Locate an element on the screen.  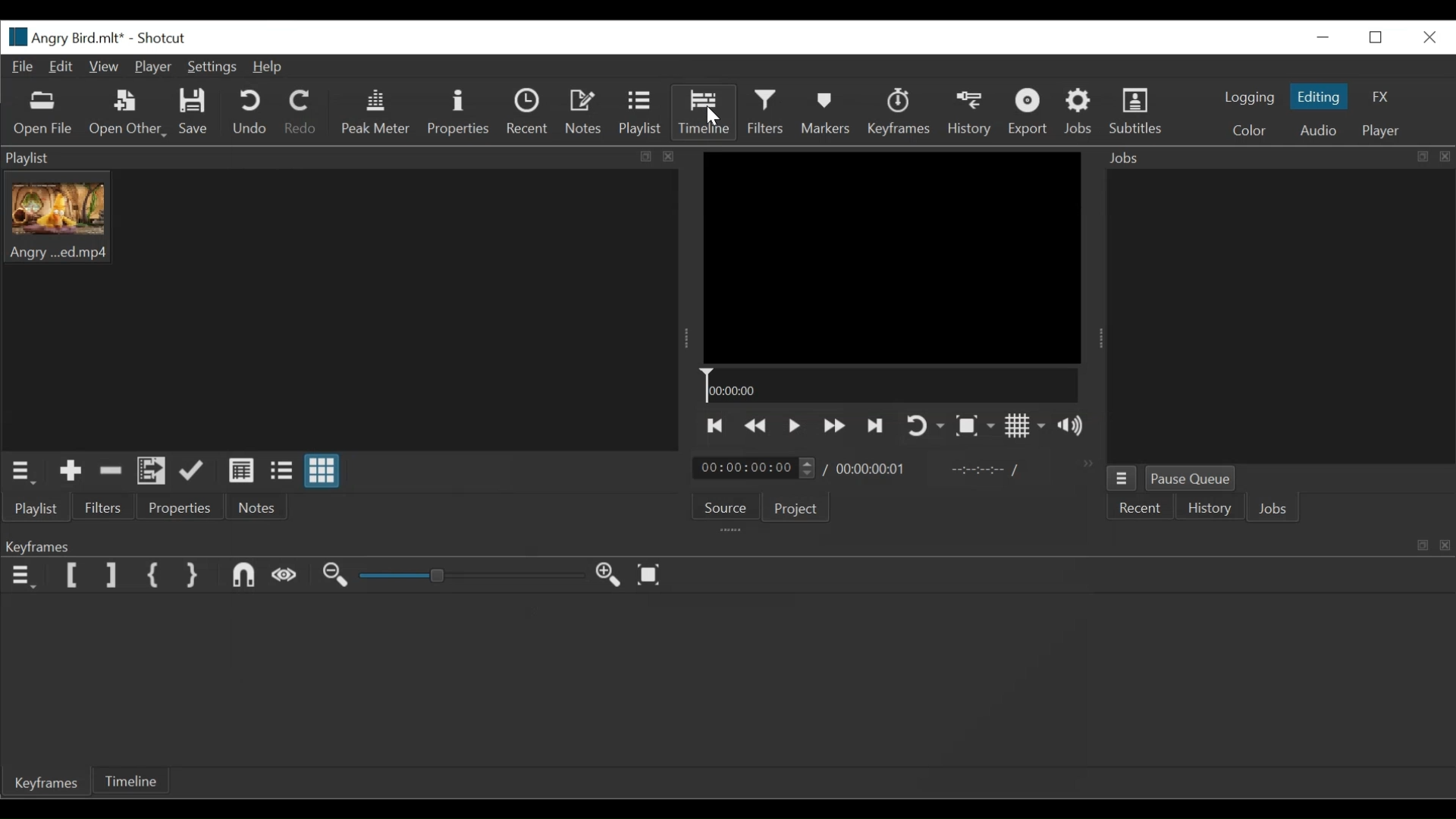
File is located at coordinates (24, 67).